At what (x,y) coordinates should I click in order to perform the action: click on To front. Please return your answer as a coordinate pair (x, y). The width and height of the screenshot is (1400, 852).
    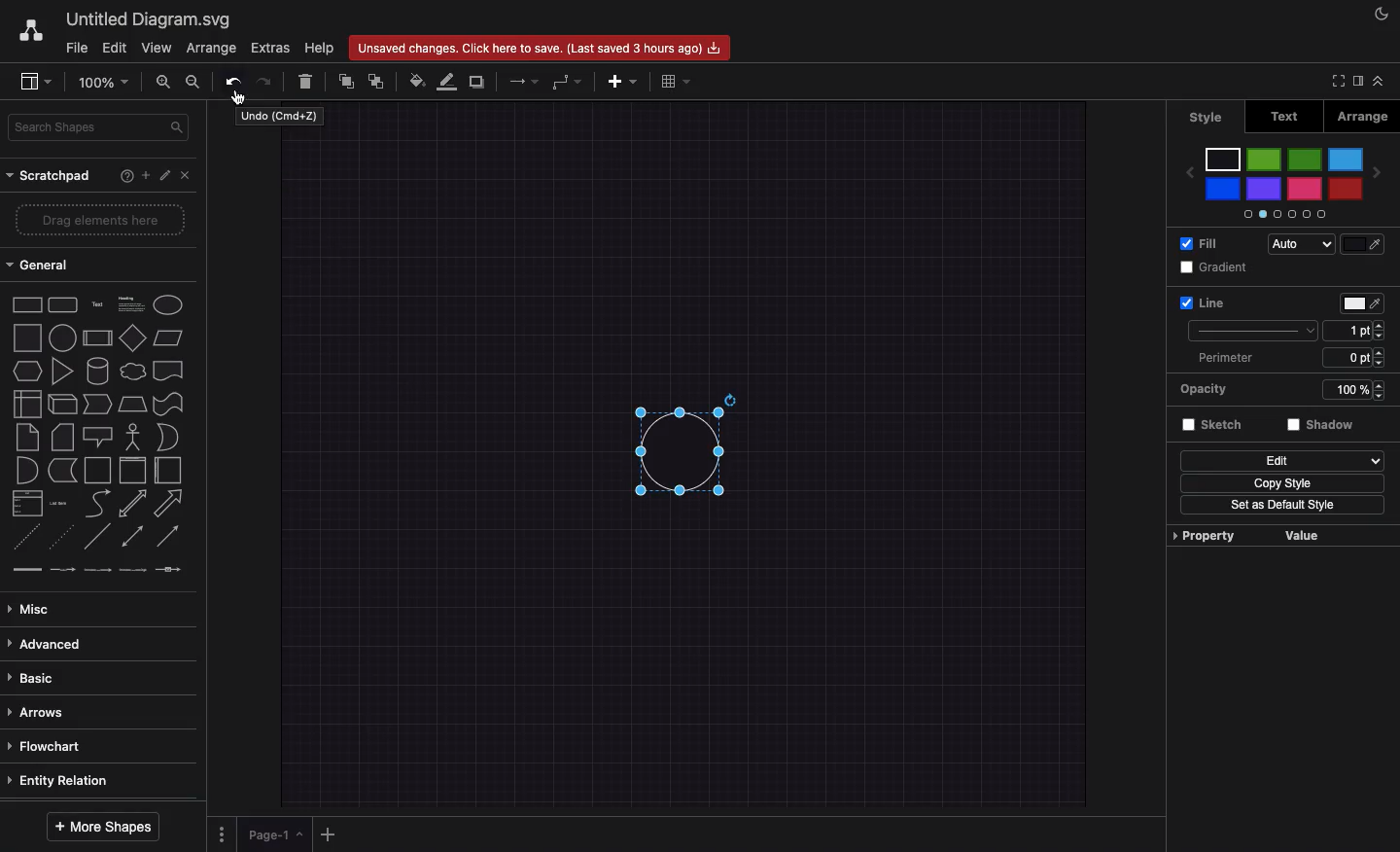
    Looking at the image, I should click on (346, 79).